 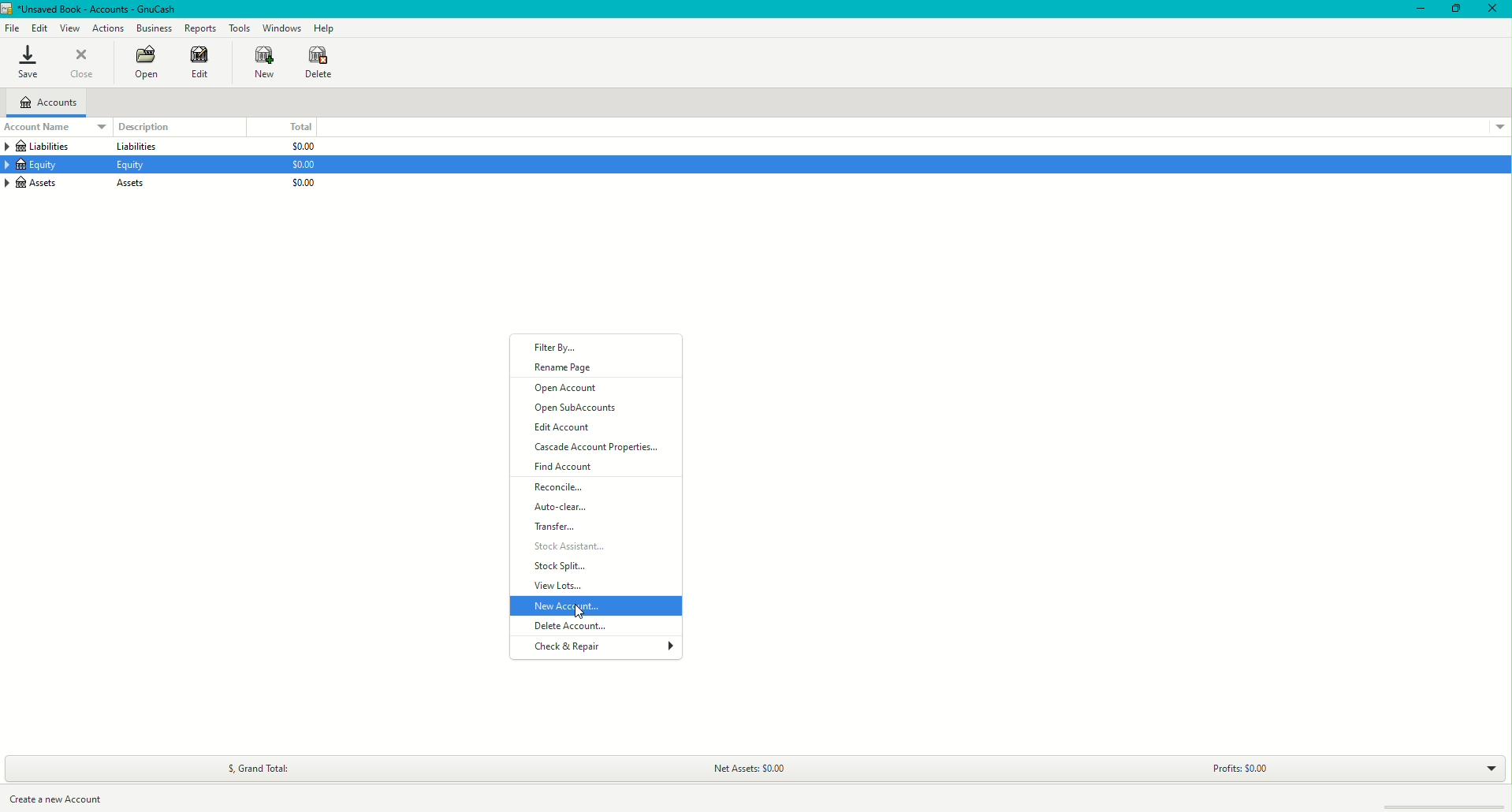 I want to click on , so click(x=133, y=166).